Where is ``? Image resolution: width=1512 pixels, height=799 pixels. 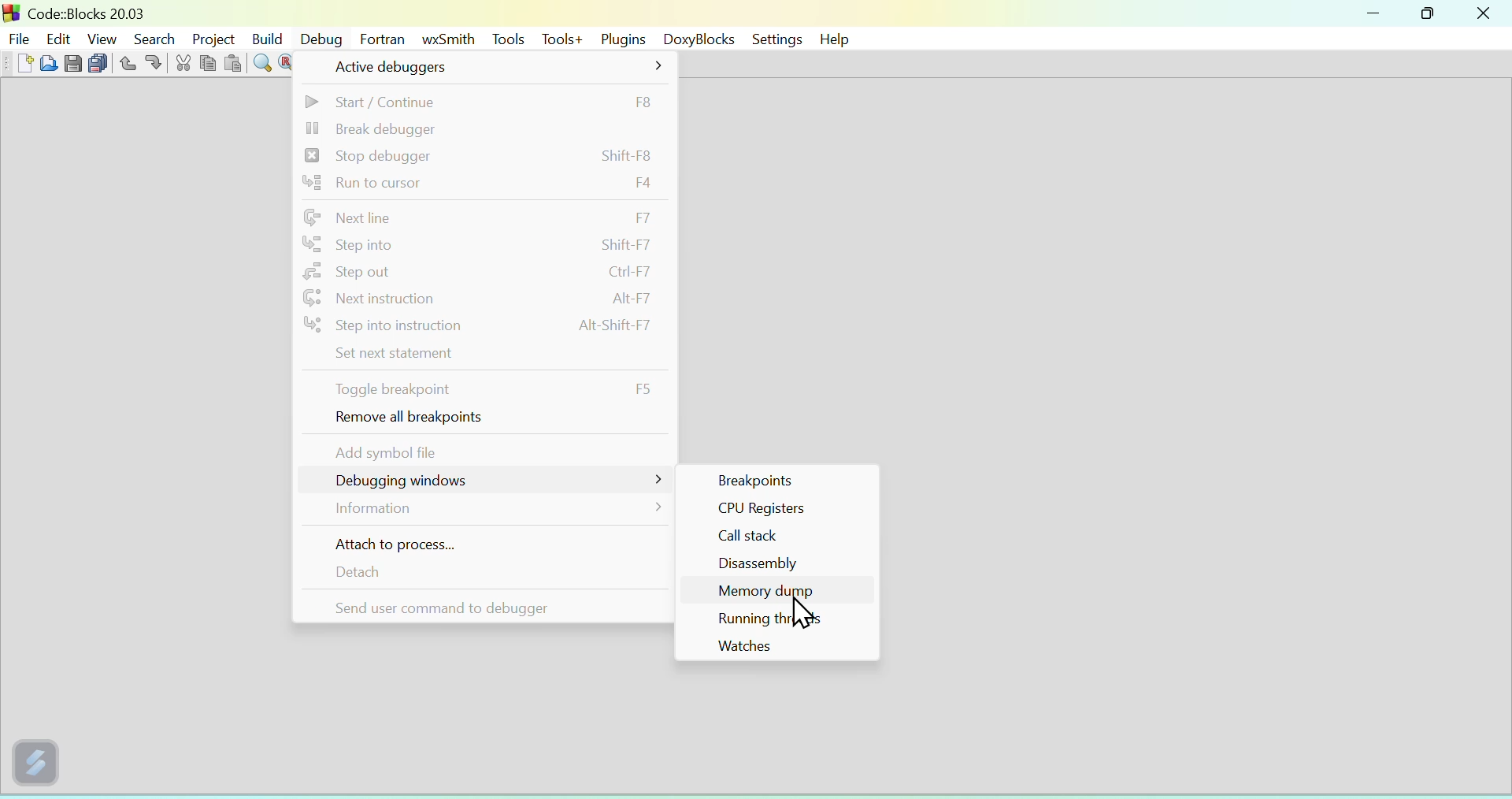  is located at coordinates (774, 478).